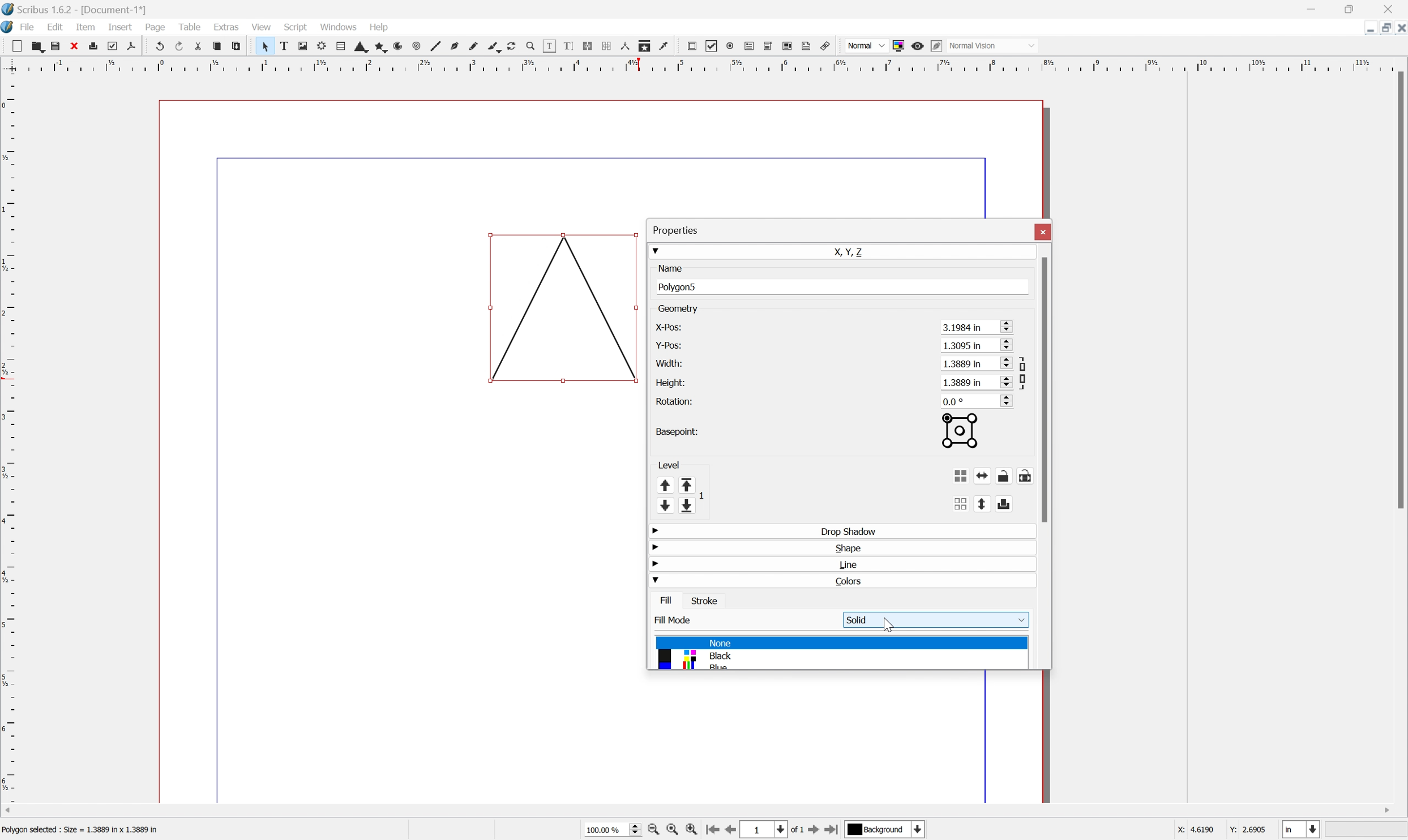 Image resolution: width=1408 pixels, height=840 pixels. What do you see at coordinates (178, 45) in the screenshot?
I see `Redo` at bounding box center [178, 45].